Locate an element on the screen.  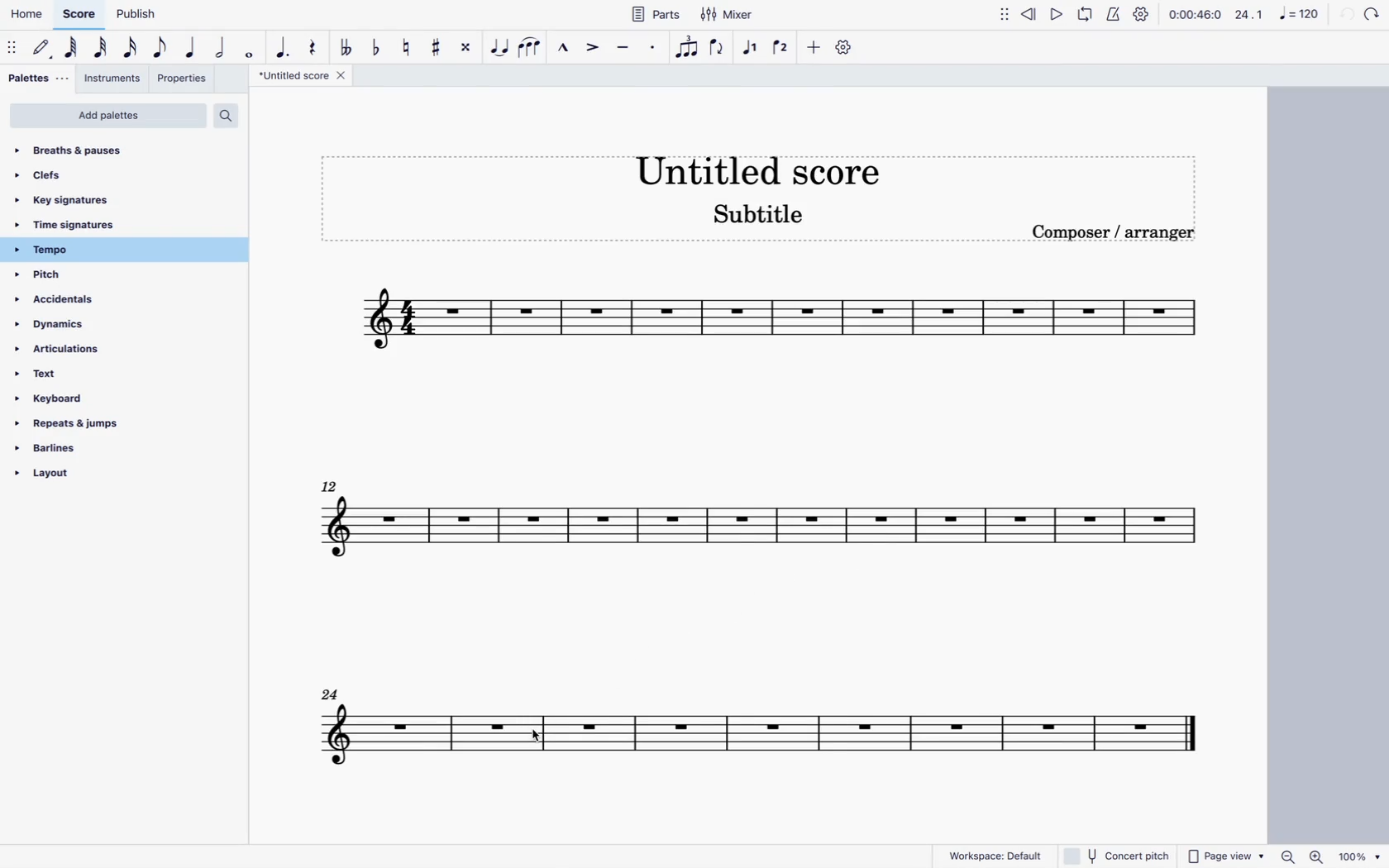
voice 1 is located at coordinates (750, 46).